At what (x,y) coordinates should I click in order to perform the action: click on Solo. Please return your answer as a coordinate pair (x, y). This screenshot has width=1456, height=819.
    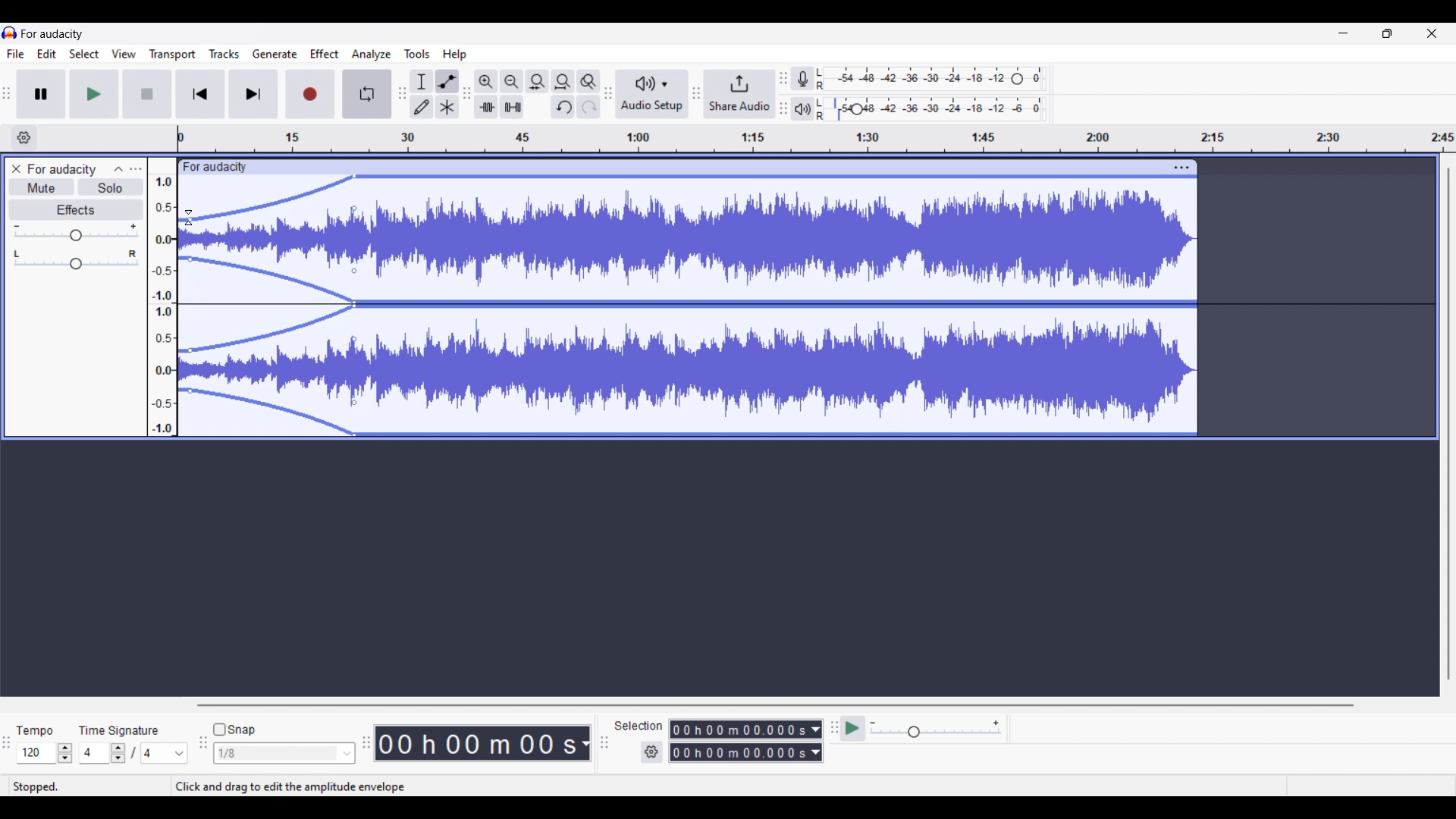
    Looking at the image, I should click on (110, 187).